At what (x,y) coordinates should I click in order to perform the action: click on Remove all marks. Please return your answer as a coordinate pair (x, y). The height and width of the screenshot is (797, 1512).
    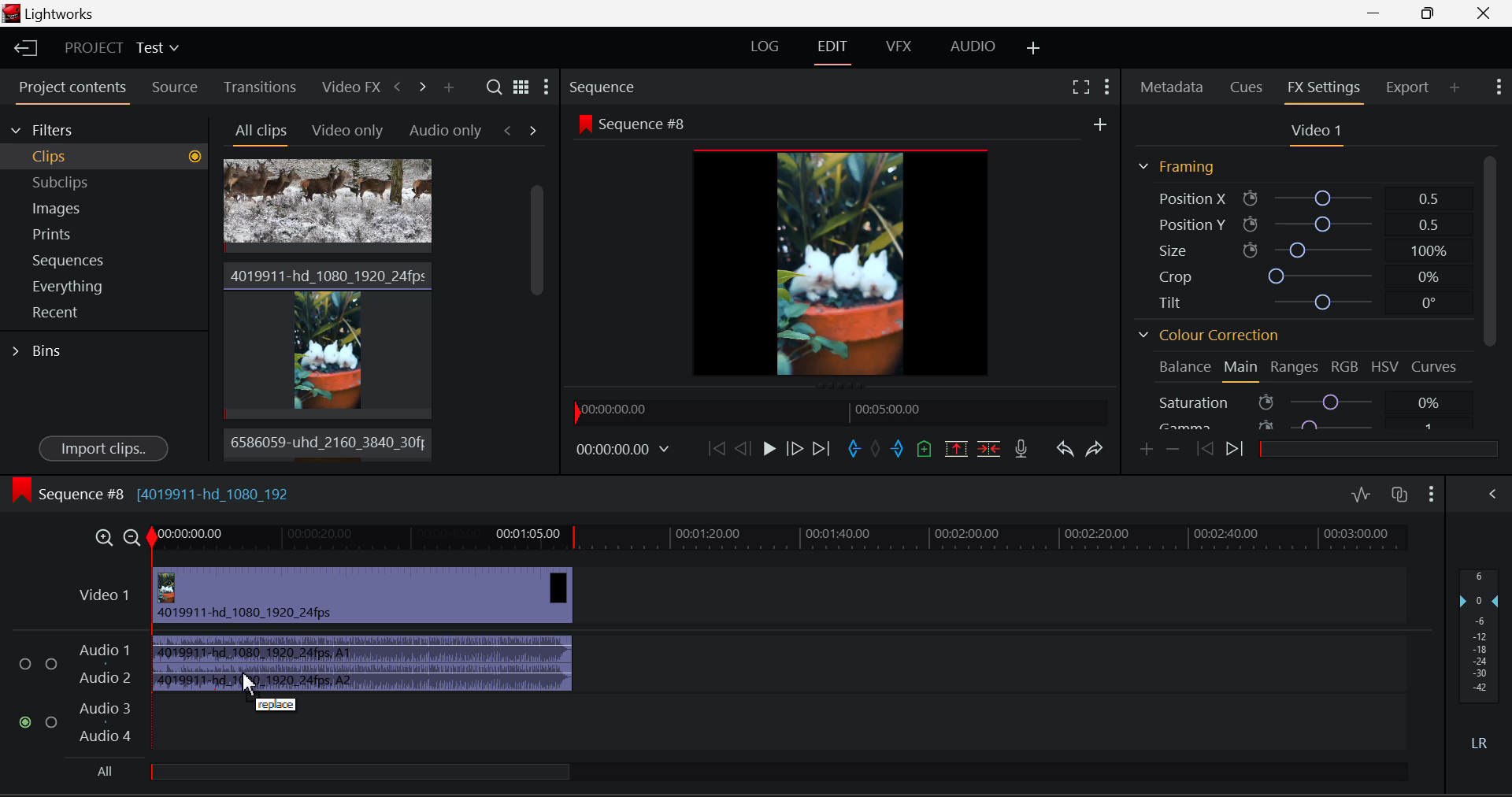
    Looking at the image, I should click on (877, 449).